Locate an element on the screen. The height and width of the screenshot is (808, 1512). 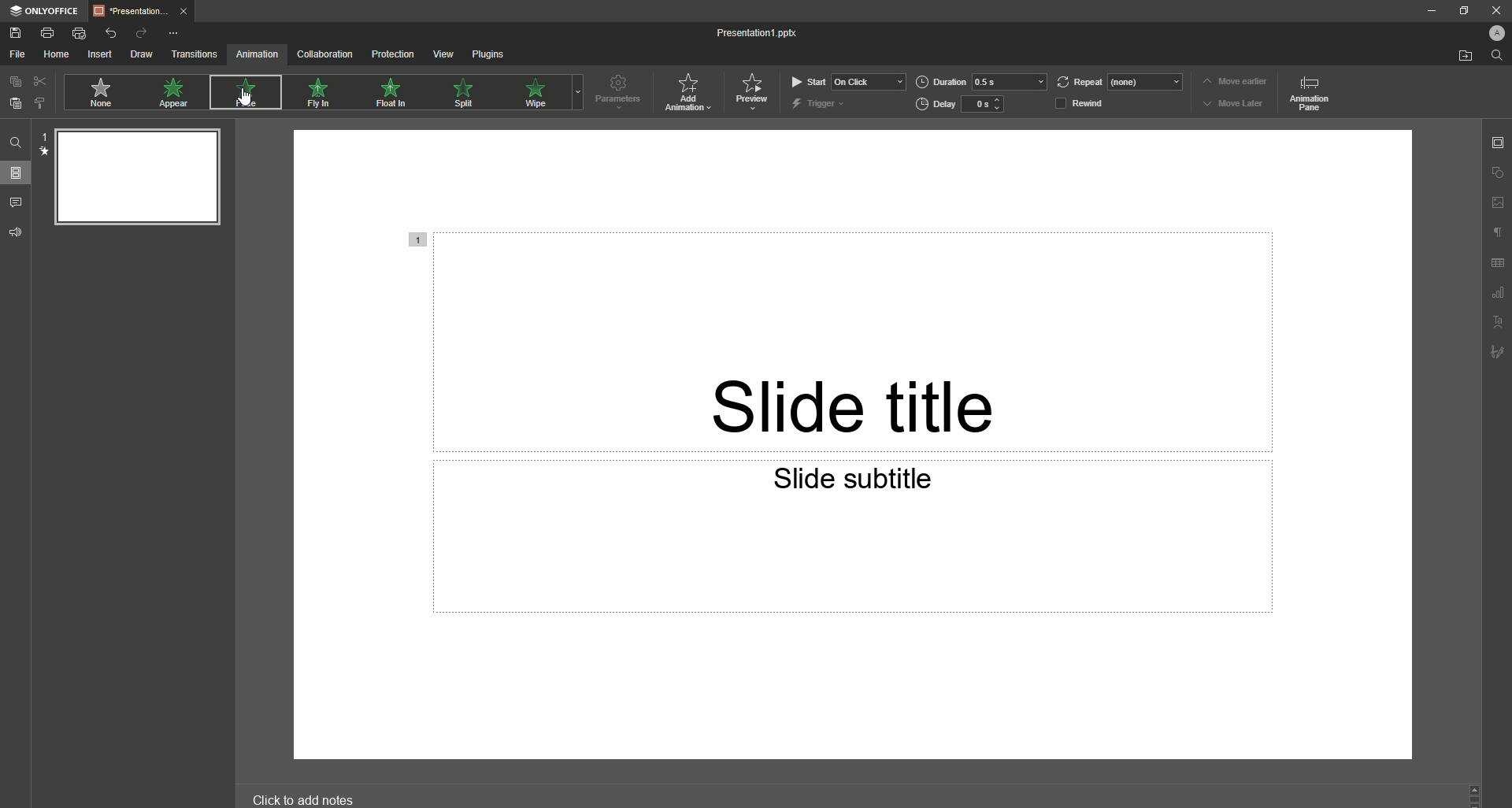
Repeat is located at coordinates (1121, 82).